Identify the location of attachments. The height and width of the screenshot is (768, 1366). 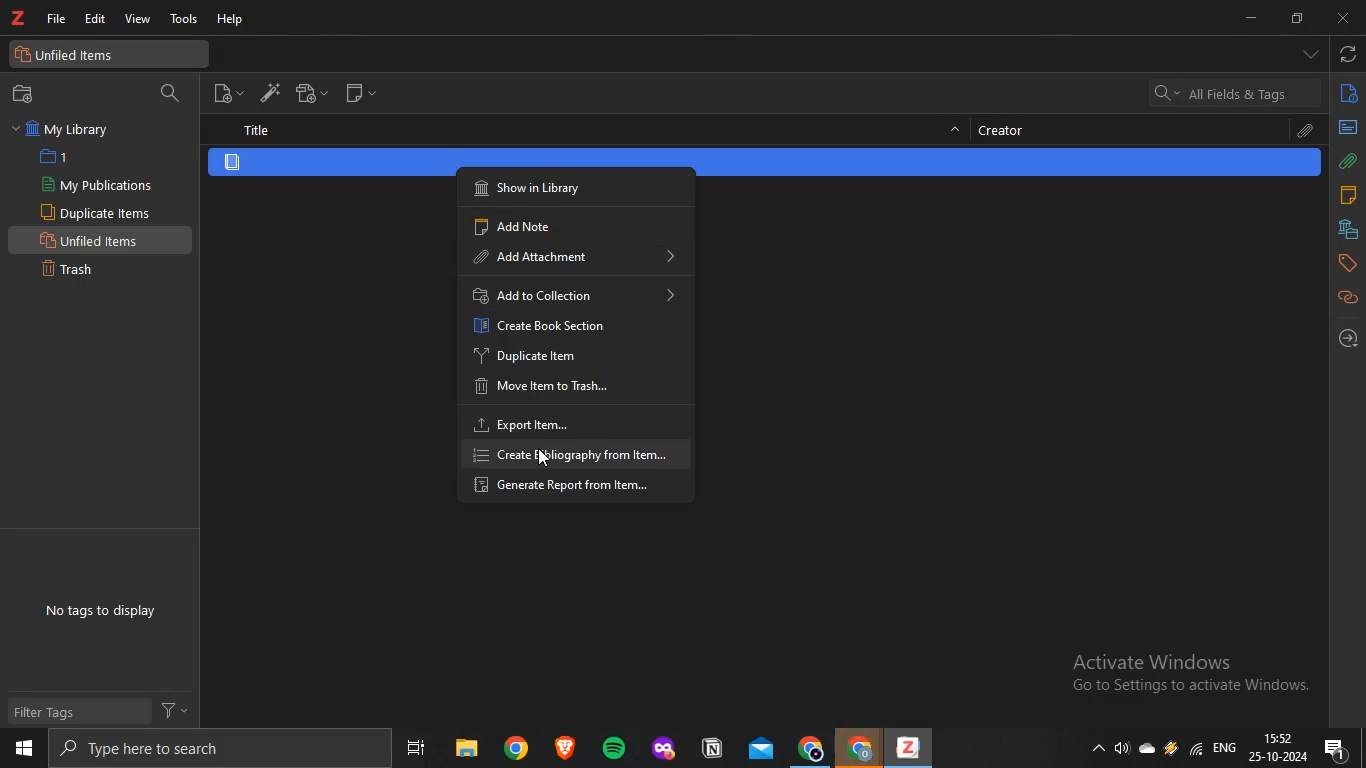
(1348, 161).